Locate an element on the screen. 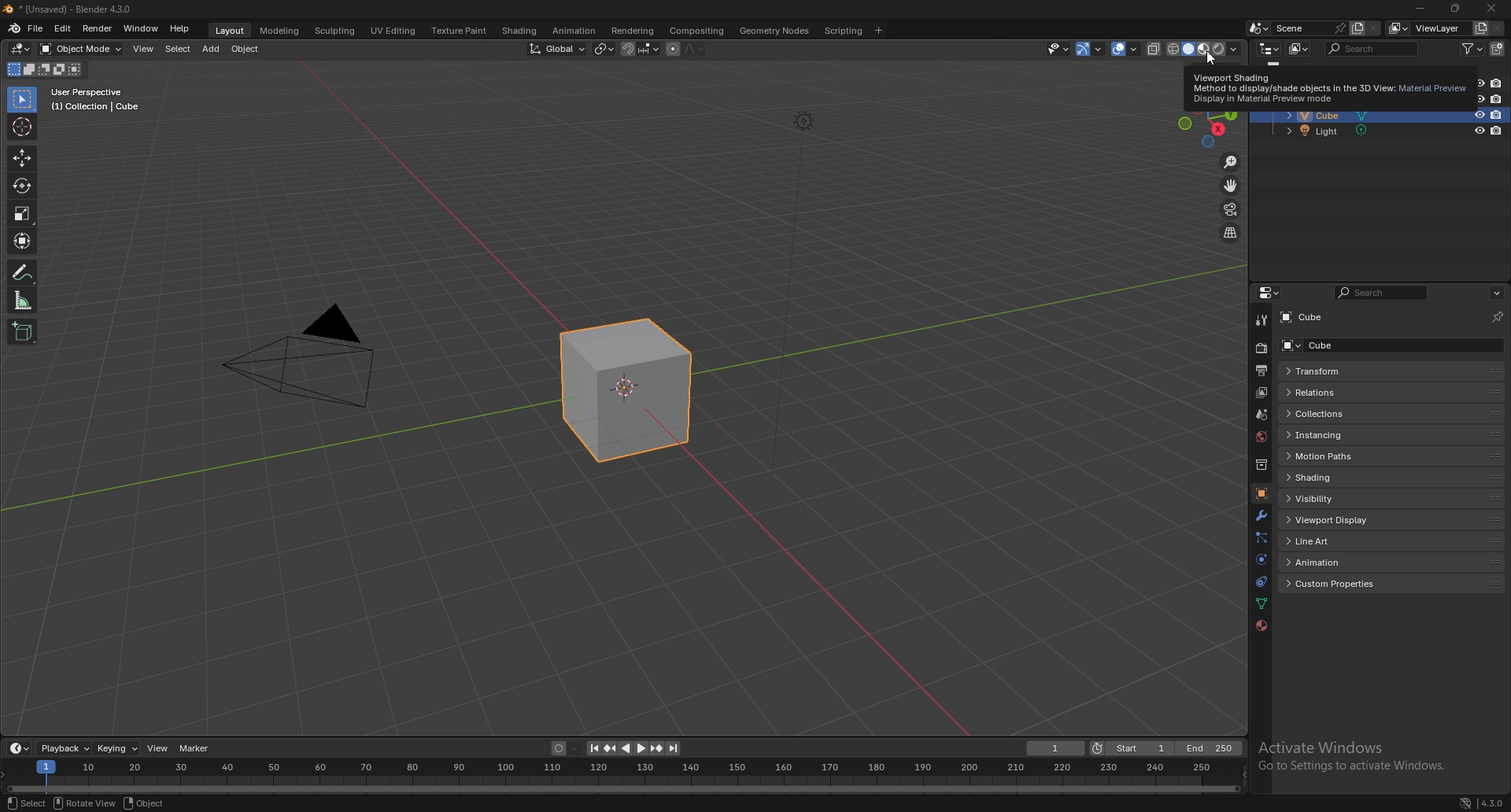  cube is located at coordinates (1317, 316).